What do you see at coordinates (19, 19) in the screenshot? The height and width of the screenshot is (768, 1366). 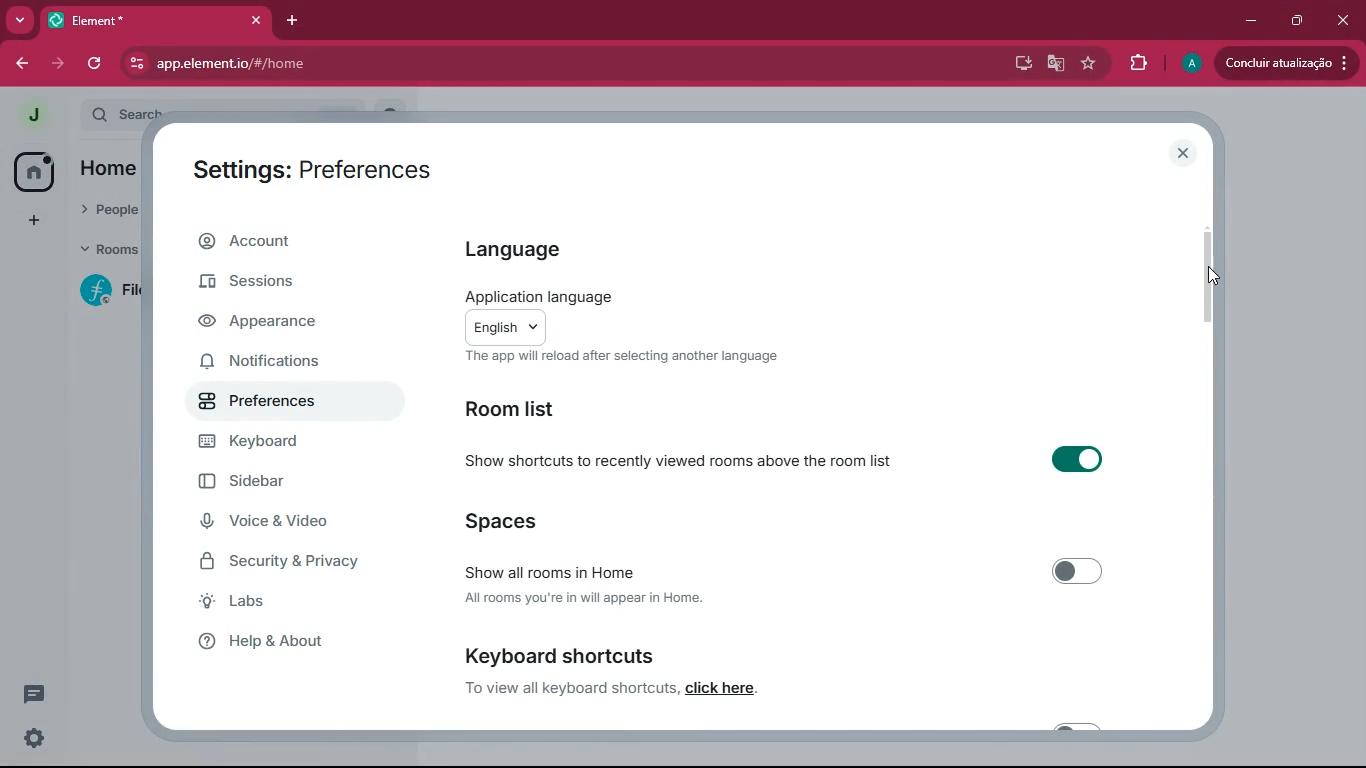 I see `more` at bounding box center [19, 19].